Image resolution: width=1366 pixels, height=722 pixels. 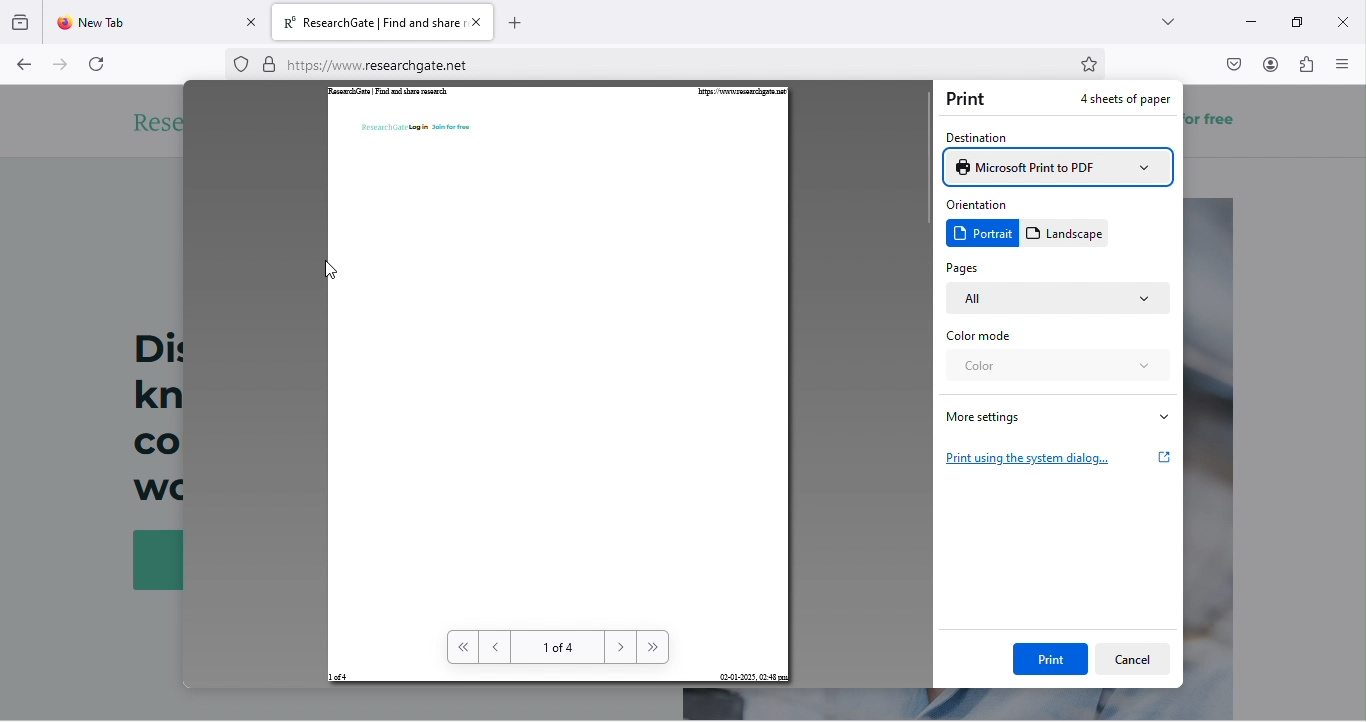 I want to click on all, so click(x=1058, y=300).